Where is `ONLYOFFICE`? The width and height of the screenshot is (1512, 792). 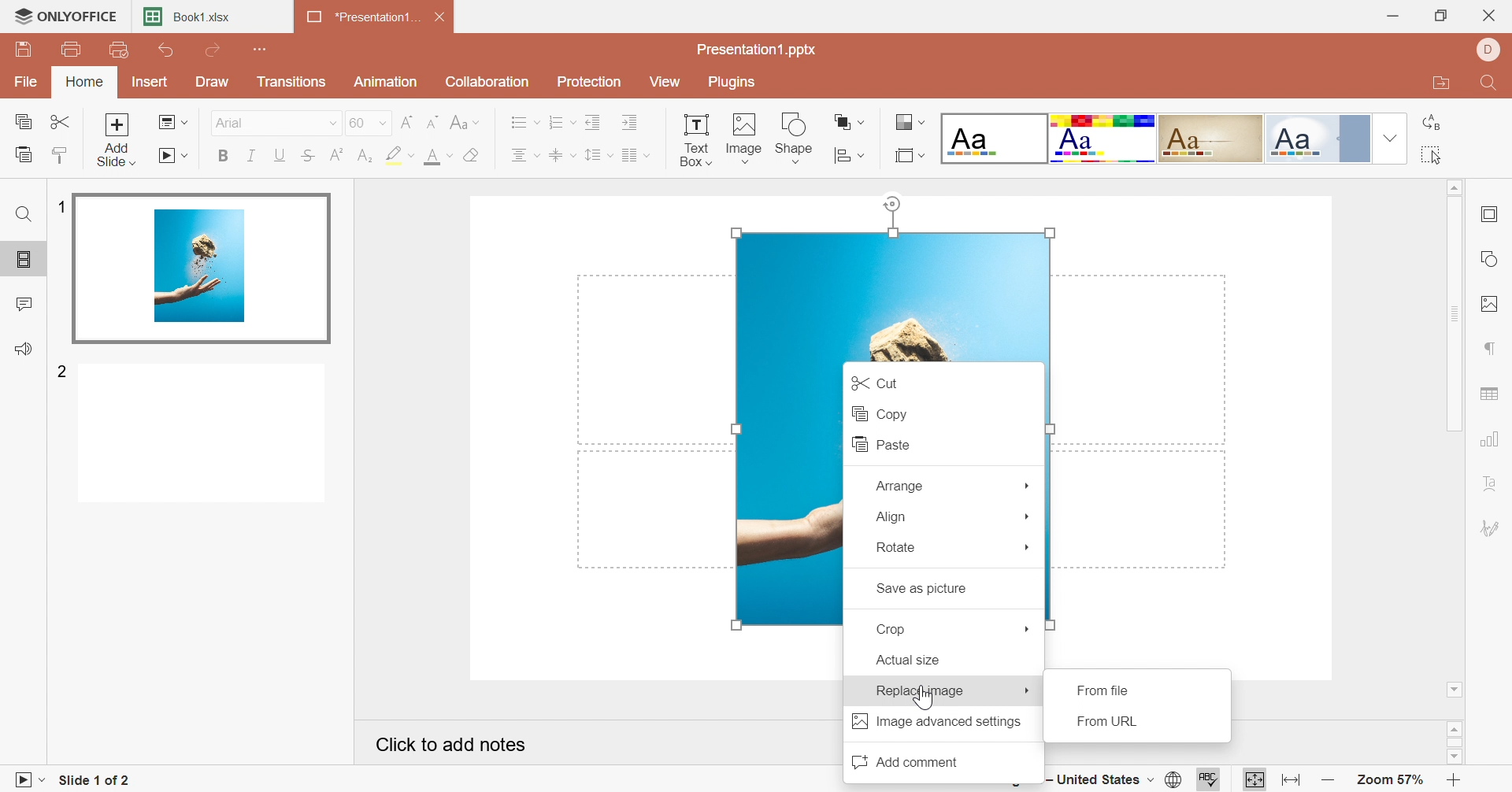
ONLYOFFICE is located at coordinates (66, 17).